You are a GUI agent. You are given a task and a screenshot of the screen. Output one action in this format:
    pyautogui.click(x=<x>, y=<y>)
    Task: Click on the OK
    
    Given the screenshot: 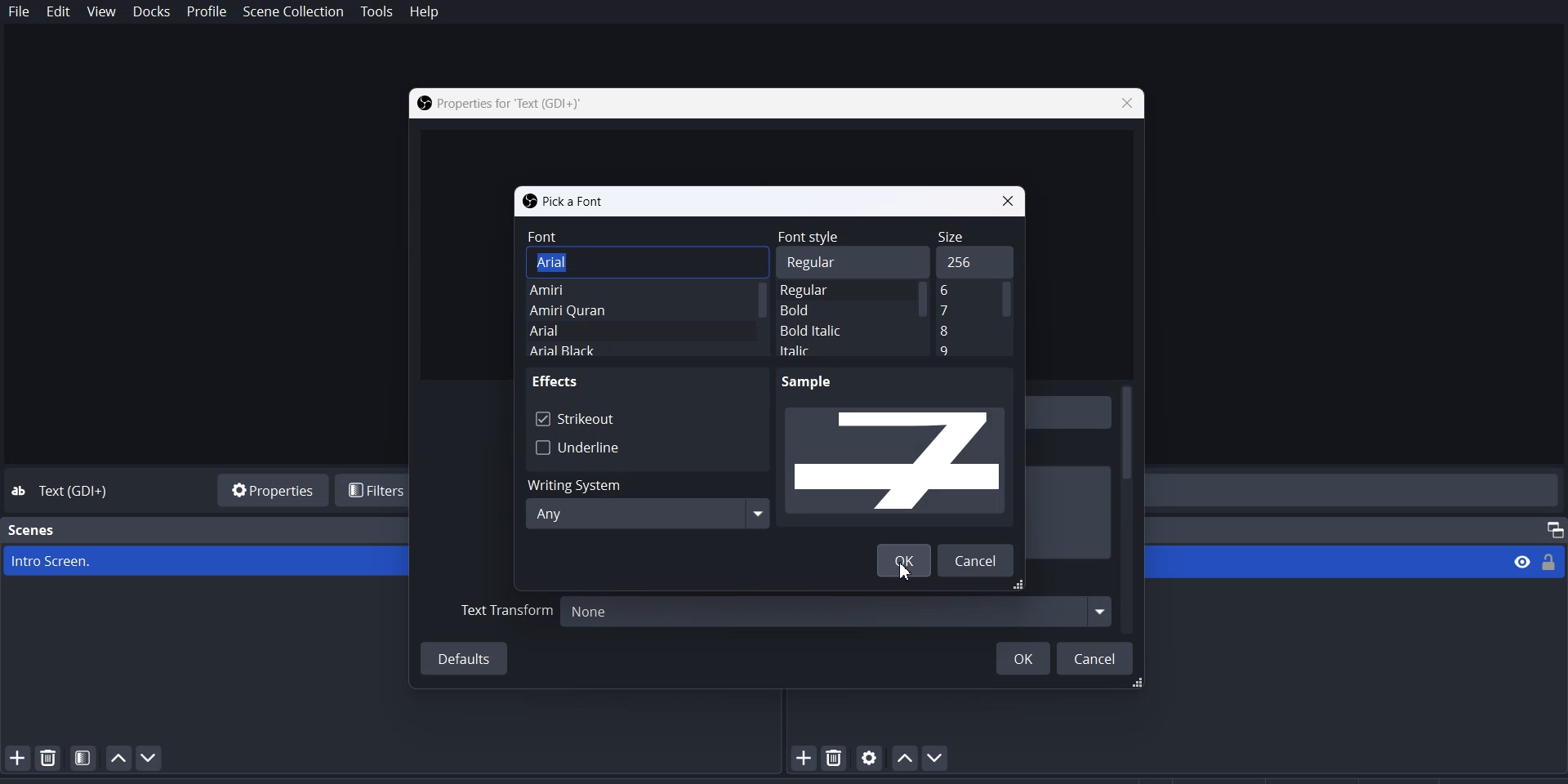 What is the action you would take?
    pyautogui.click(x=1022, y=657)
    